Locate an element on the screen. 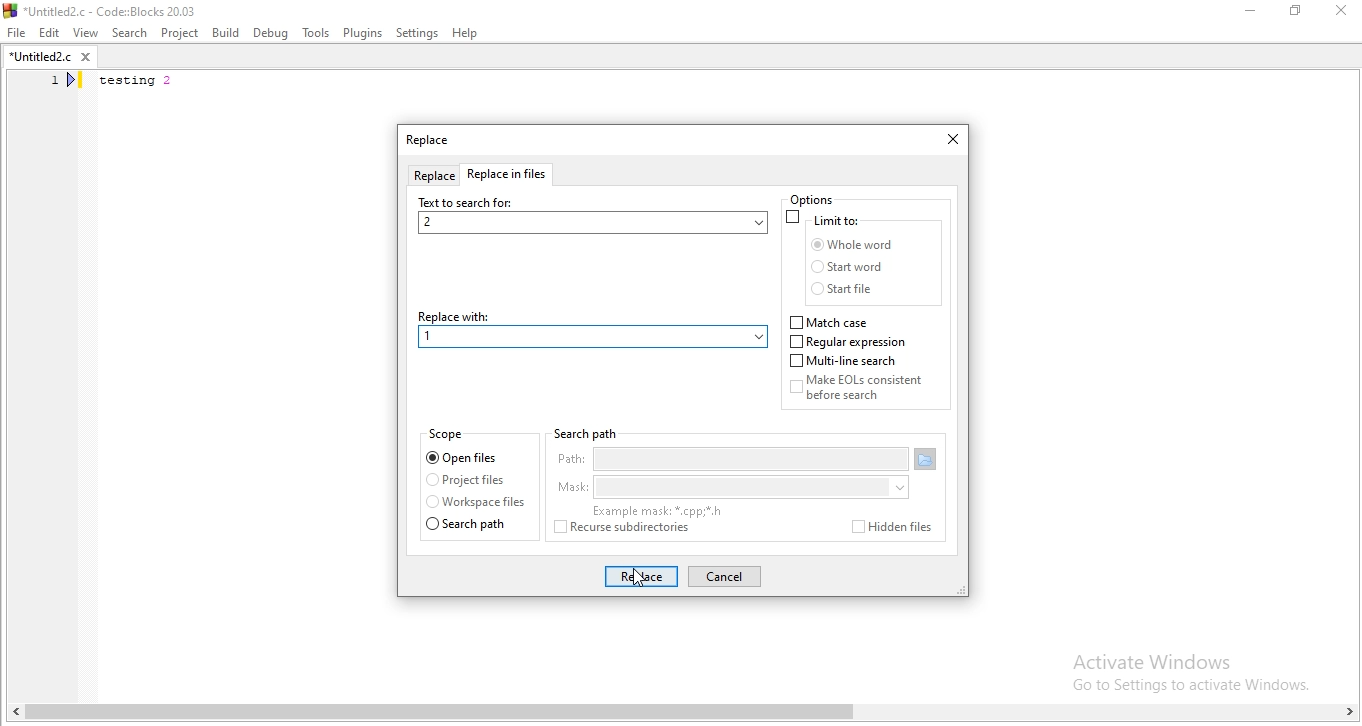 This screenshot has width=1362, height=726. open folder is located at coordinates (927, 460).